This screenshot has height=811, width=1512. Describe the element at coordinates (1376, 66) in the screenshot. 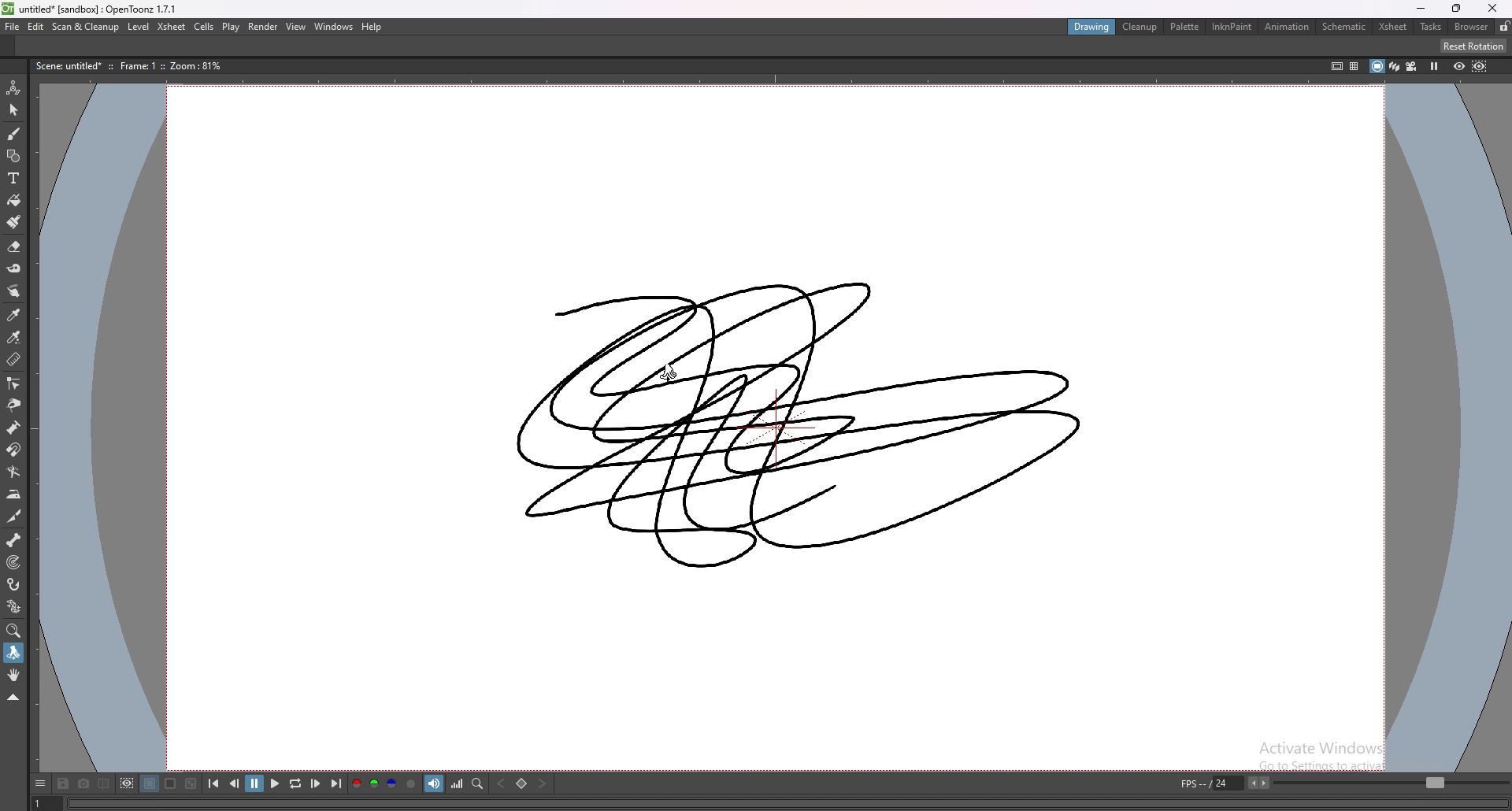

I see `camera stand view` at that location.